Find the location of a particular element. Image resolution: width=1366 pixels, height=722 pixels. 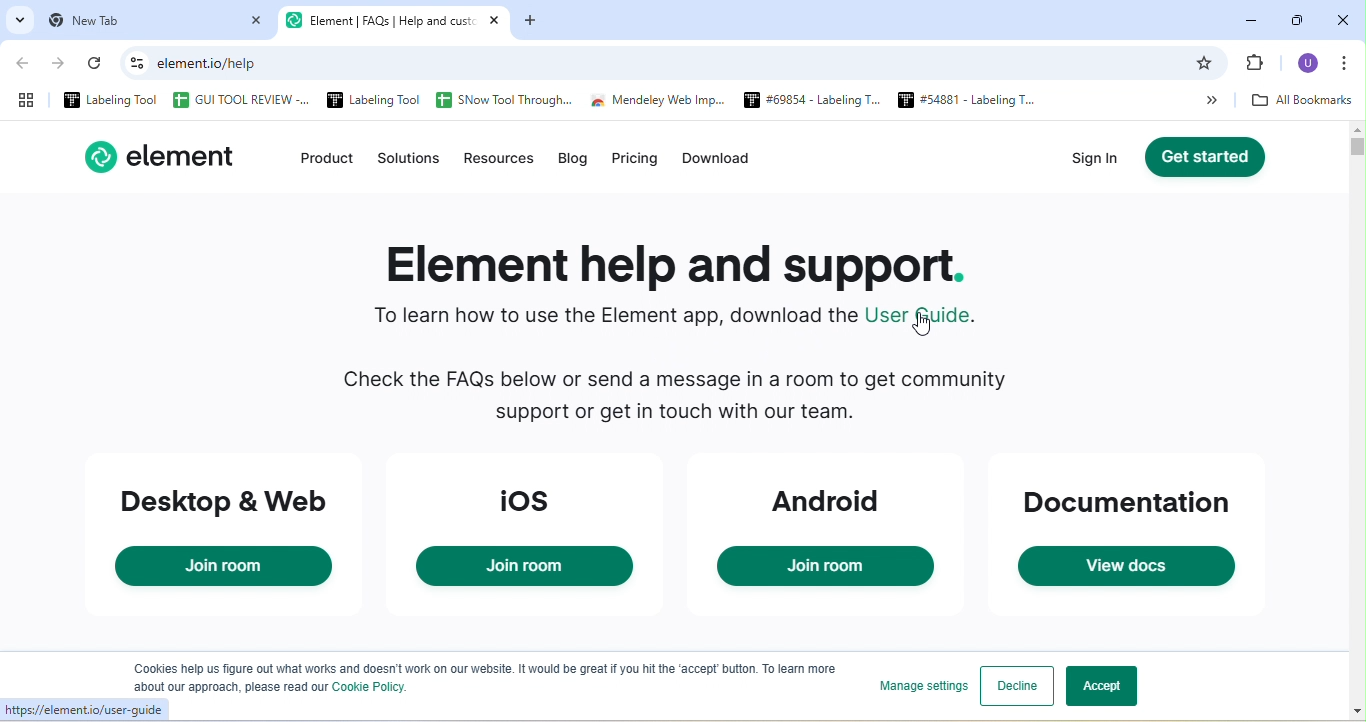

SNow Tool Through... is located at coordinates (505, 101).